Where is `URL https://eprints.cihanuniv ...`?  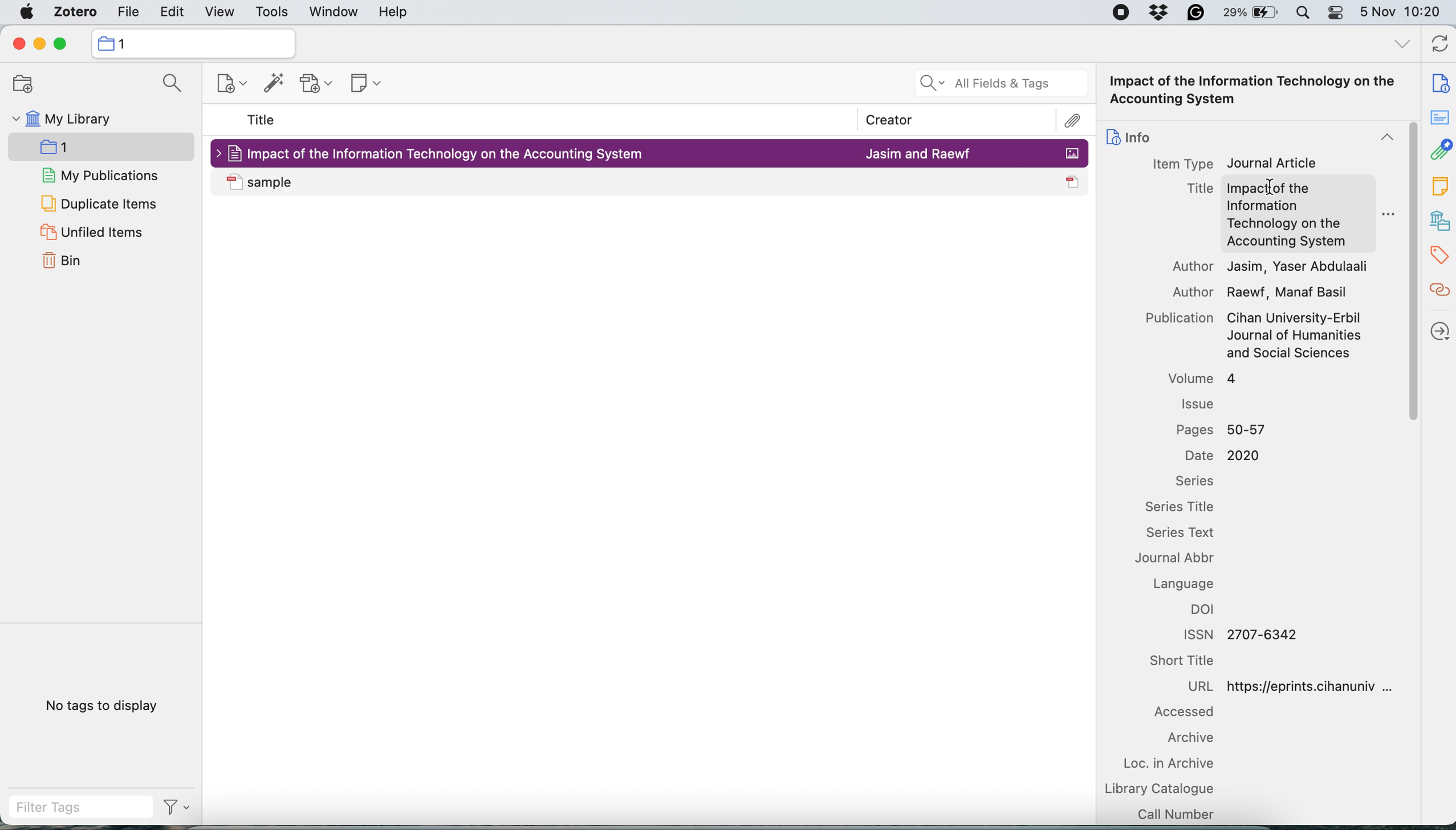
URL https://eprints.cihanuniv ... is located at coordinates (1290, 686).